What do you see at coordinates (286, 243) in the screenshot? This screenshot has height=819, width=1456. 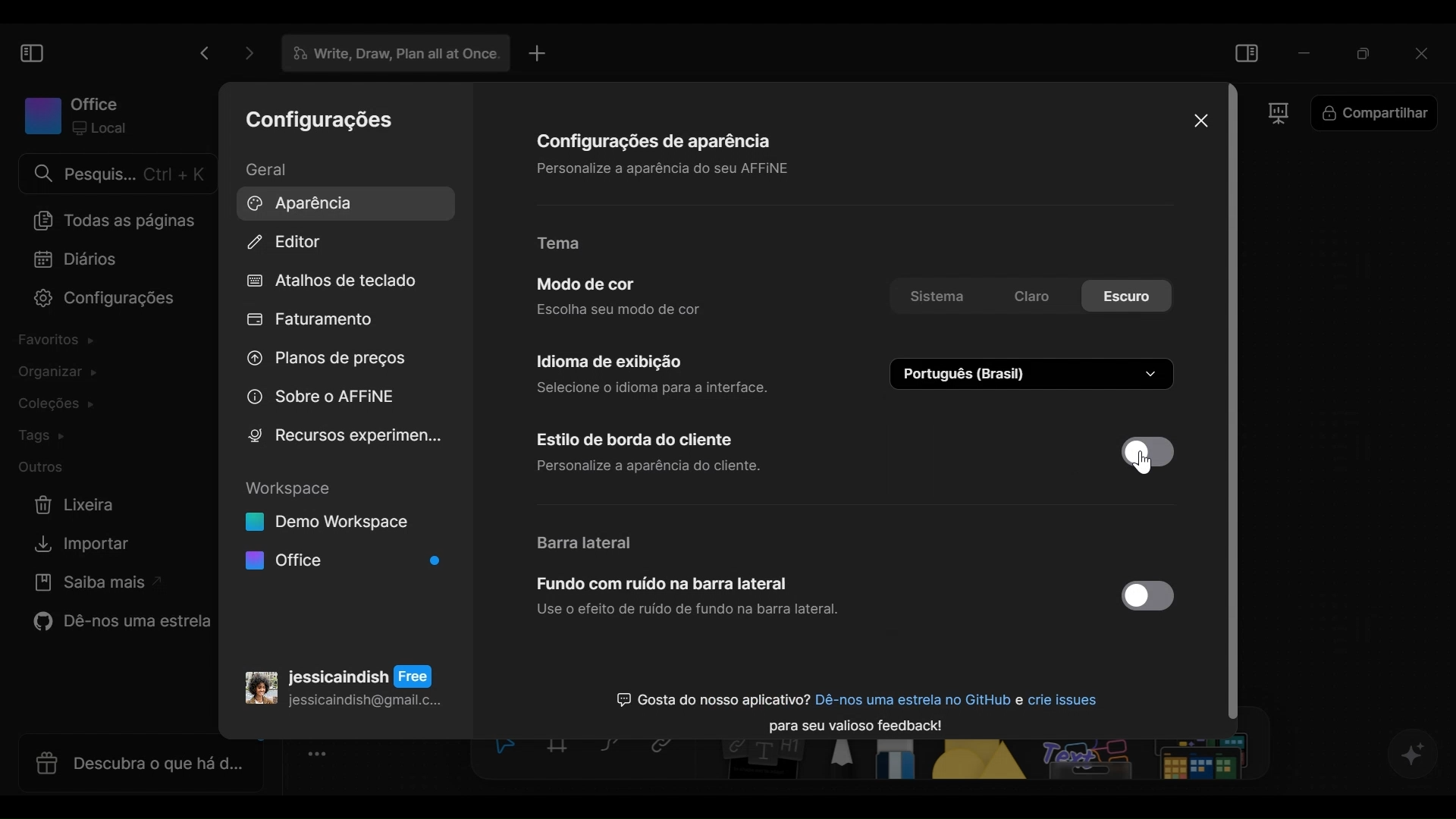 I see `Editor` at bounding box center [286, 243].